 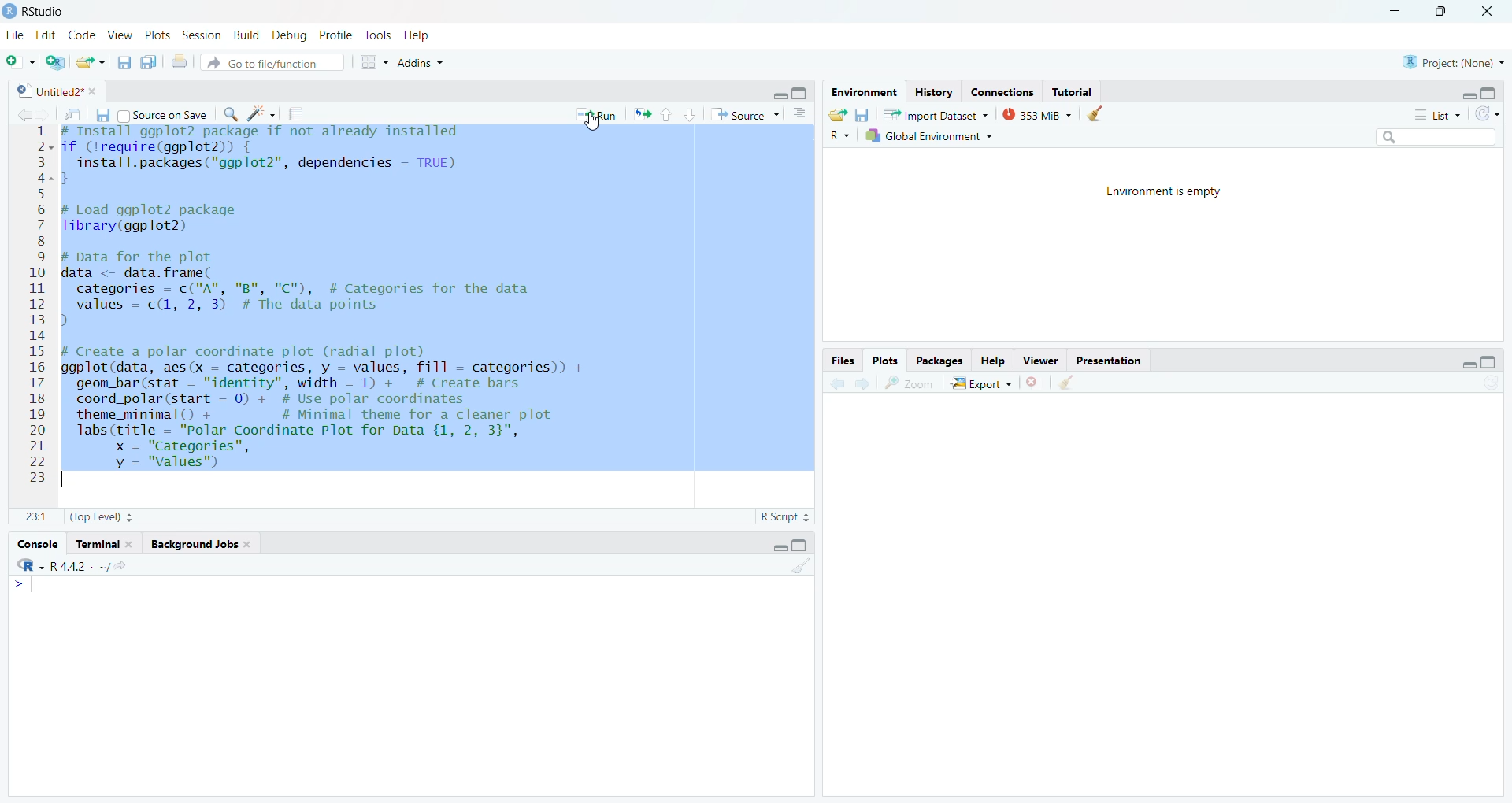 What do you see at coordinates (200, 36) in the screenshot?
I see `Session` at bounding box center [200, 36].